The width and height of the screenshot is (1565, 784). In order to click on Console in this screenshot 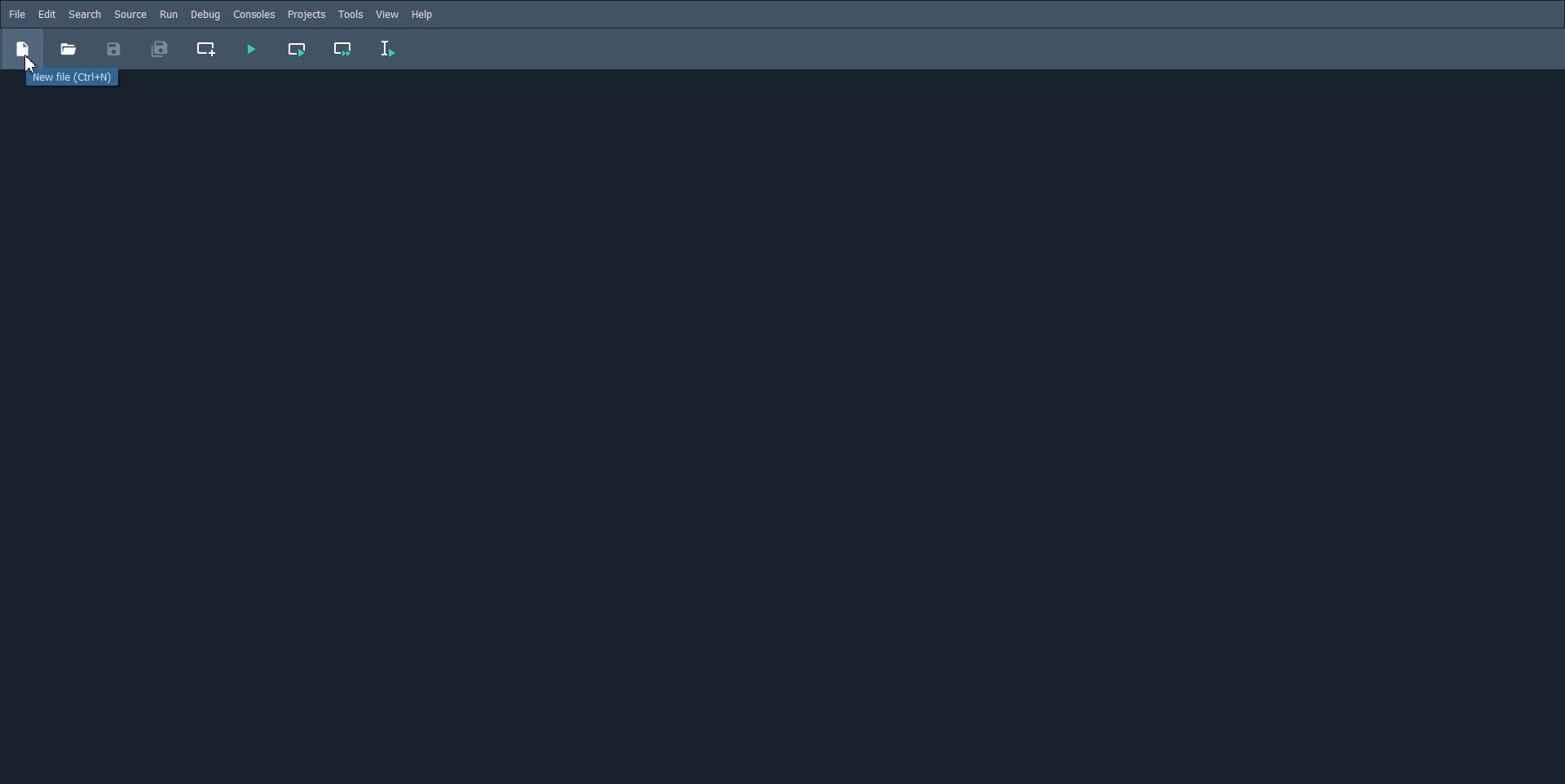, I will do `click(253, 15)`.